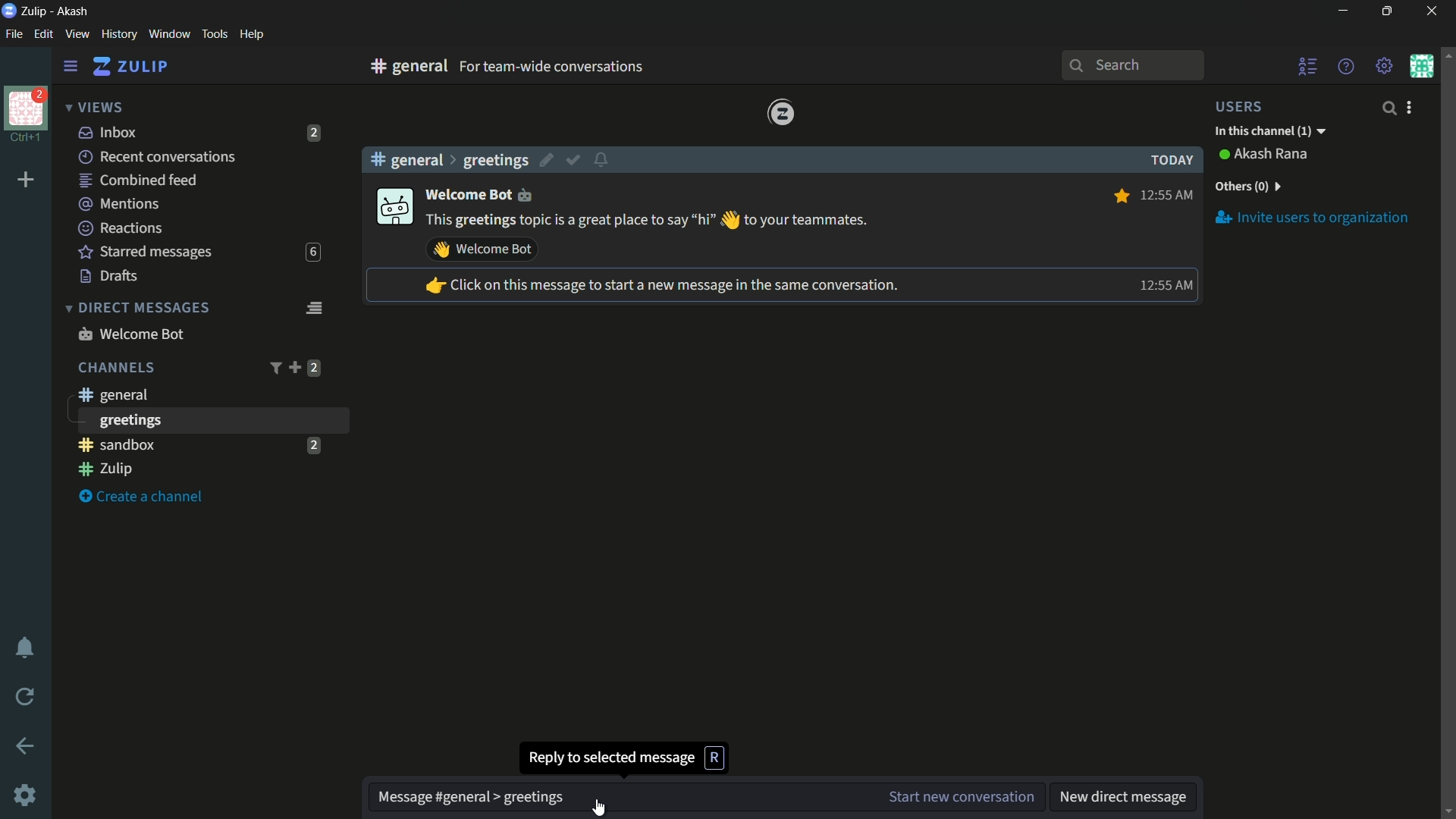  Describe the element at coordinates (1429, 11) in the screenshot. I see `close app` at that location.